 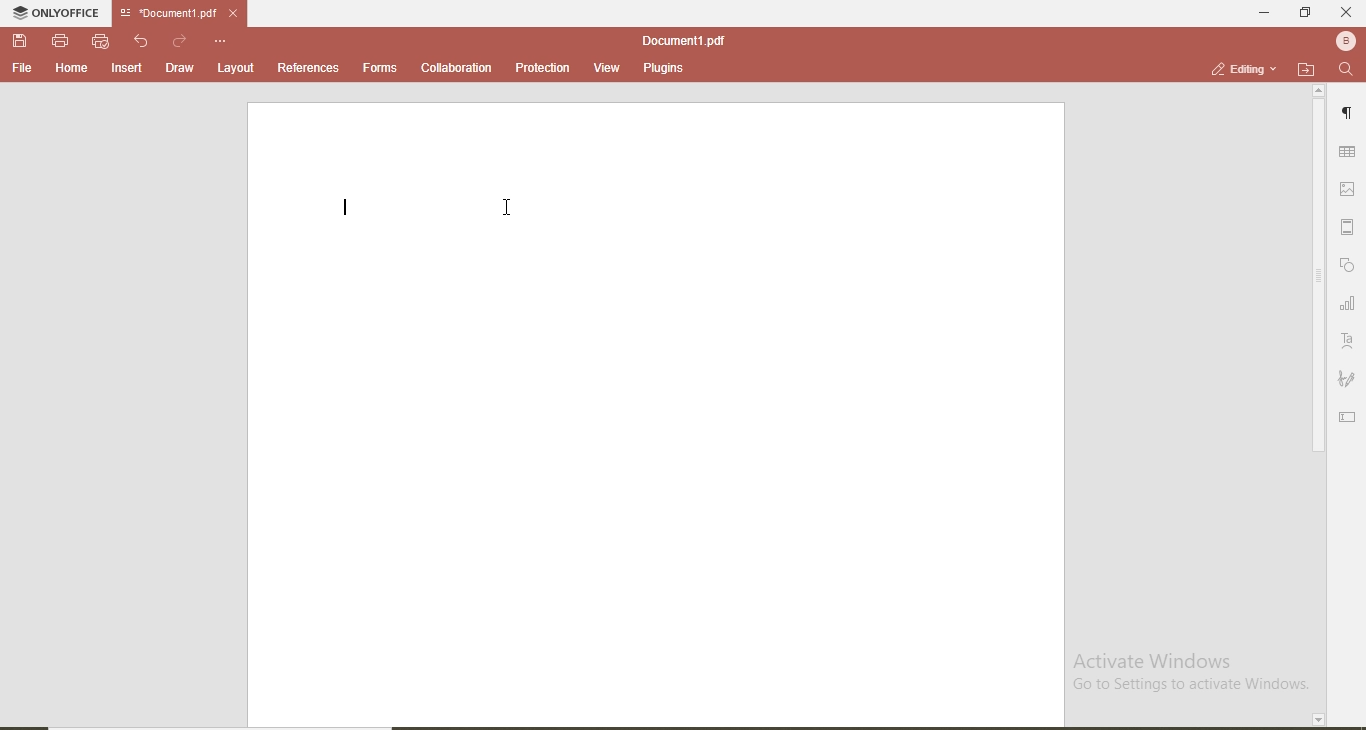 What do you see at coordinates (1317, 719) in the screenshot?
I see `page down` at bounding box center [1317, 719].